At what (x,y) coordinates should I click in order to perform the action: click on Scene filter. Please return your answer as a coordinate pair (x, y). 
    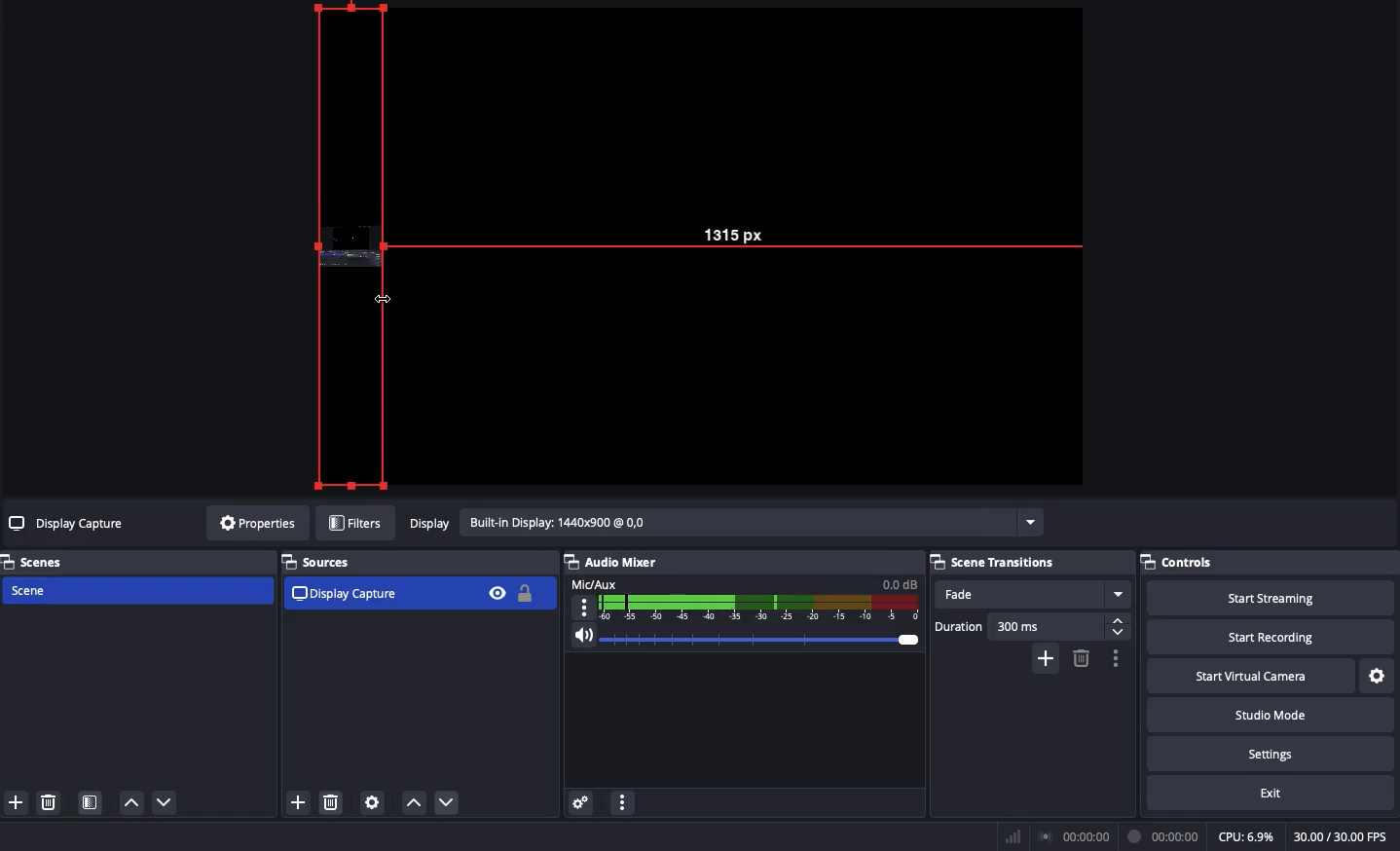
    Looking at the image, I should click on (91, 804).